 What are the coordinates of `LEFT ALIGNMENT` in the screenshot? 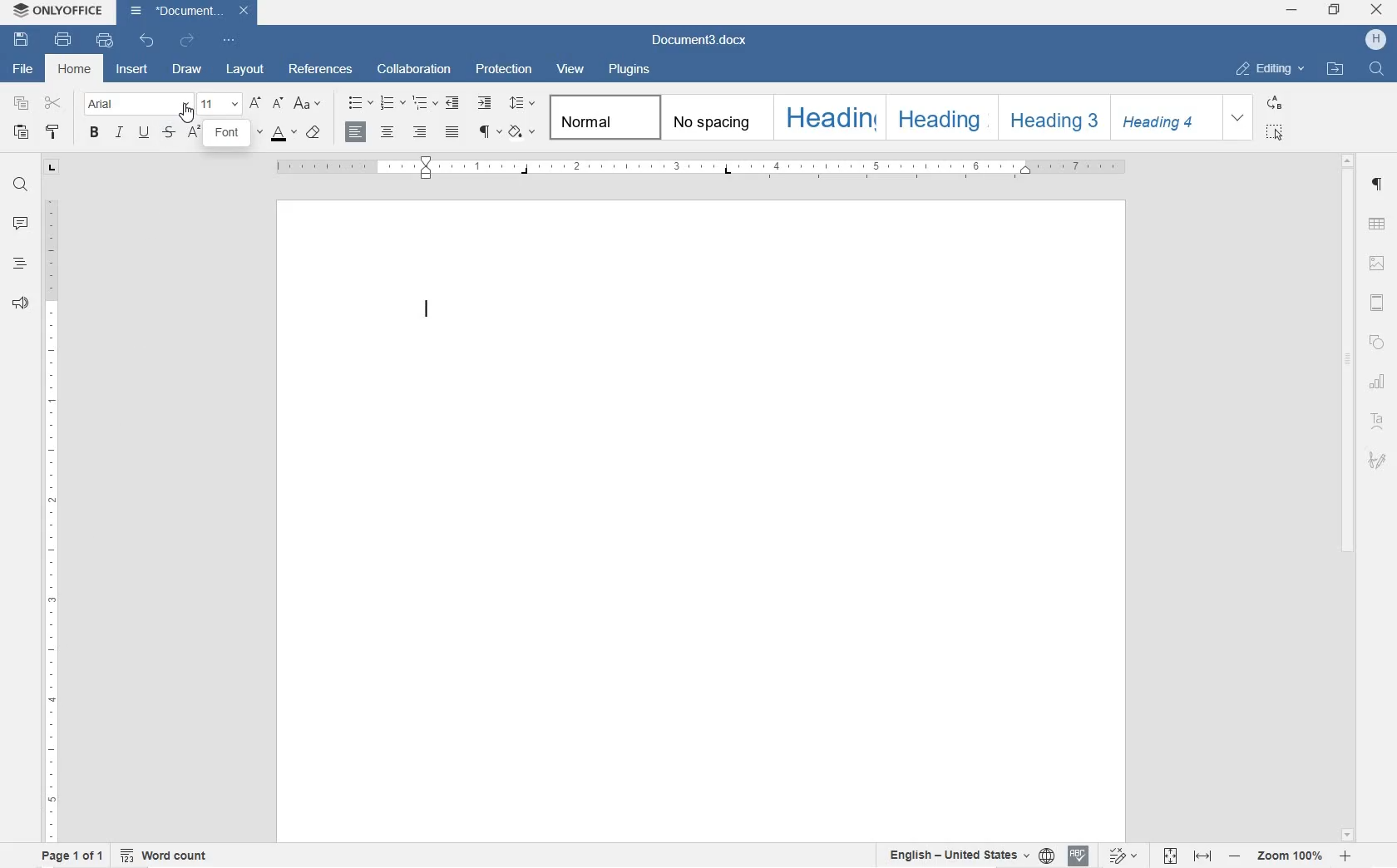 It's located at (356, 131).